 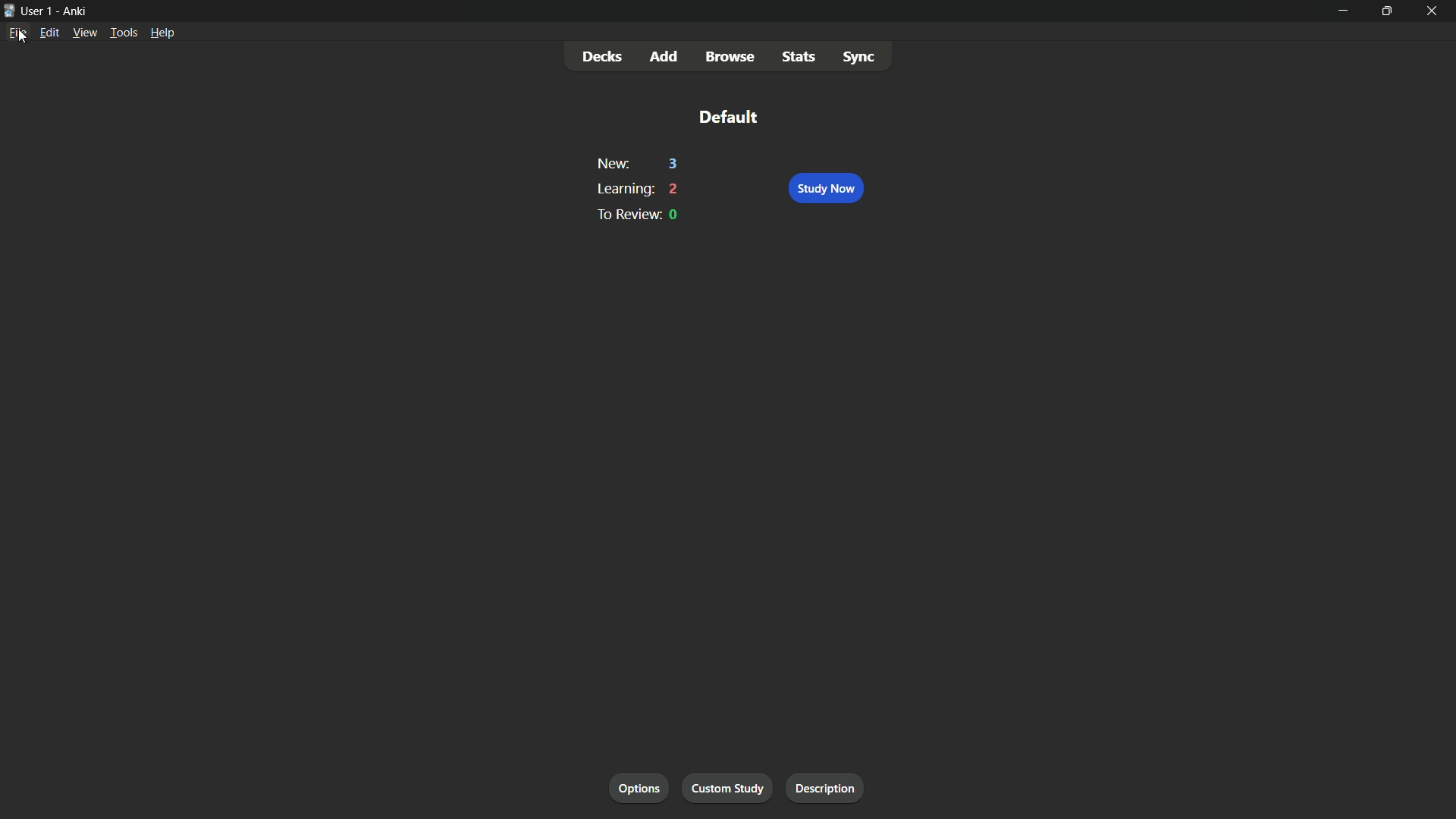 I want to click on 2, so click(x=675, y=189).